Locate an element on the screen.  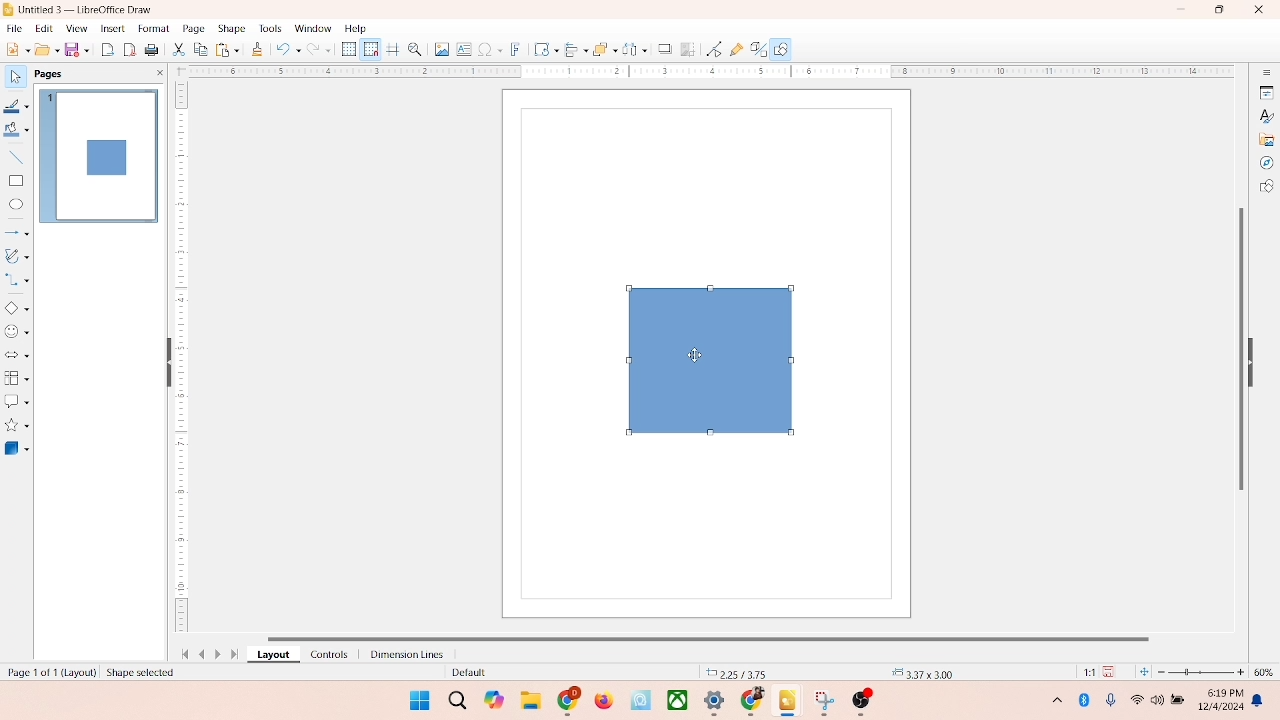
layout is located at coordinates (272, 655).